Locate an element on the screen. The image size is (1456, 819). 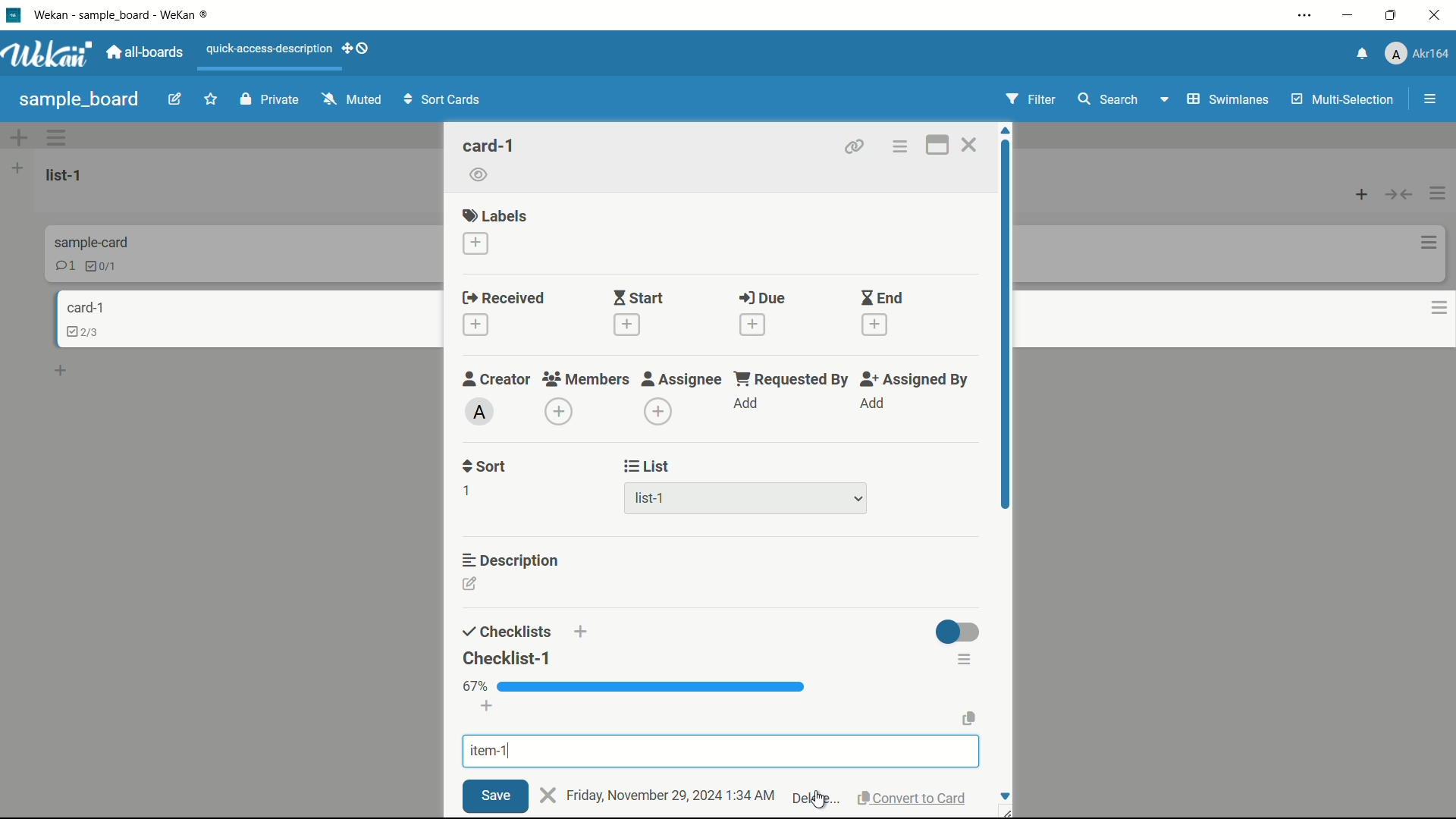
add checklist is located at coordinates (579, 633).